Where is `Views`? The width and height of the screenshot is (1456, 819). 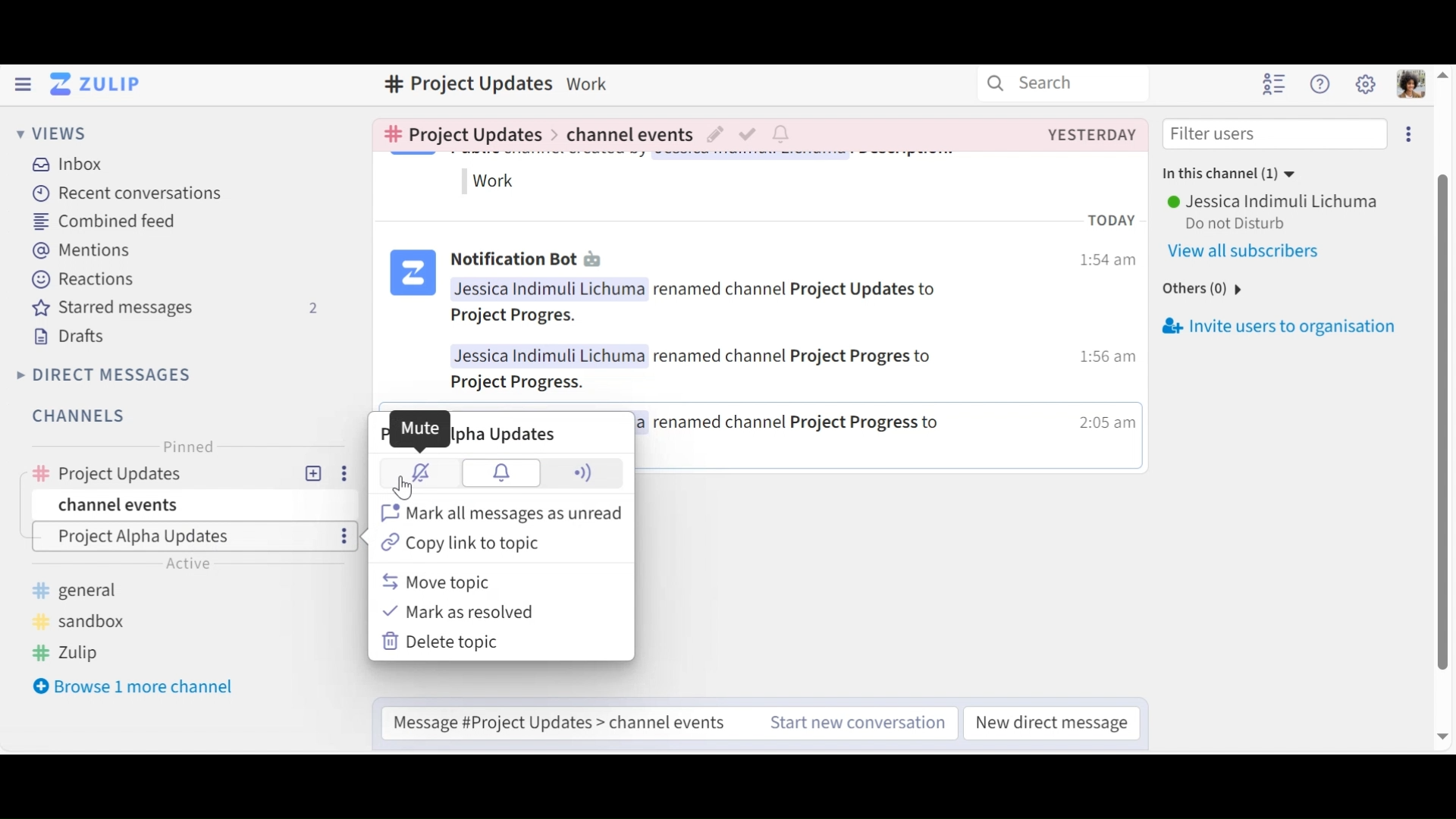 Views is located at coordinates (52, 134).